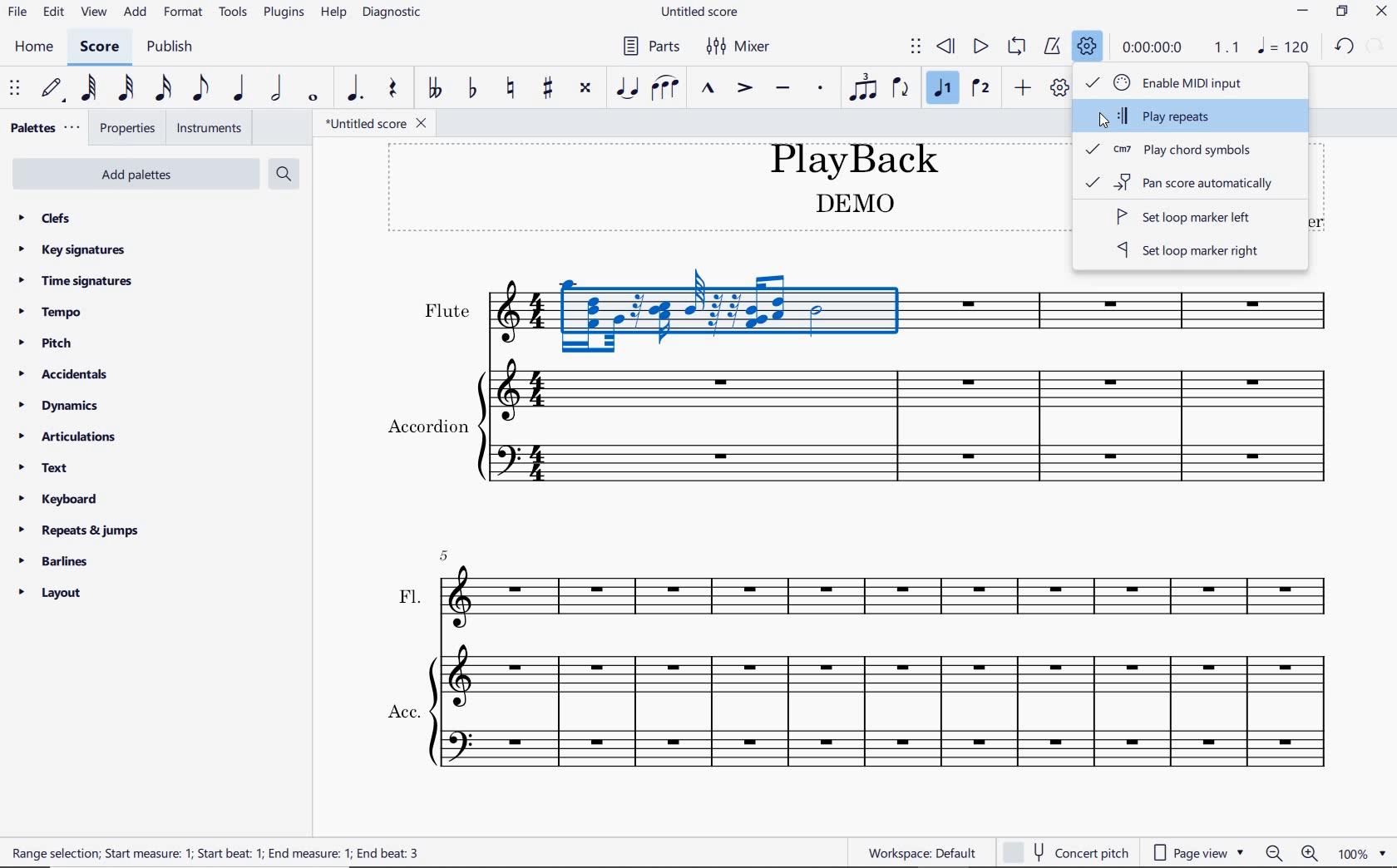  What do you see at coordinates (1375, 45) in the screenshot?
I see `redo` at bounding box center [1375, 45].